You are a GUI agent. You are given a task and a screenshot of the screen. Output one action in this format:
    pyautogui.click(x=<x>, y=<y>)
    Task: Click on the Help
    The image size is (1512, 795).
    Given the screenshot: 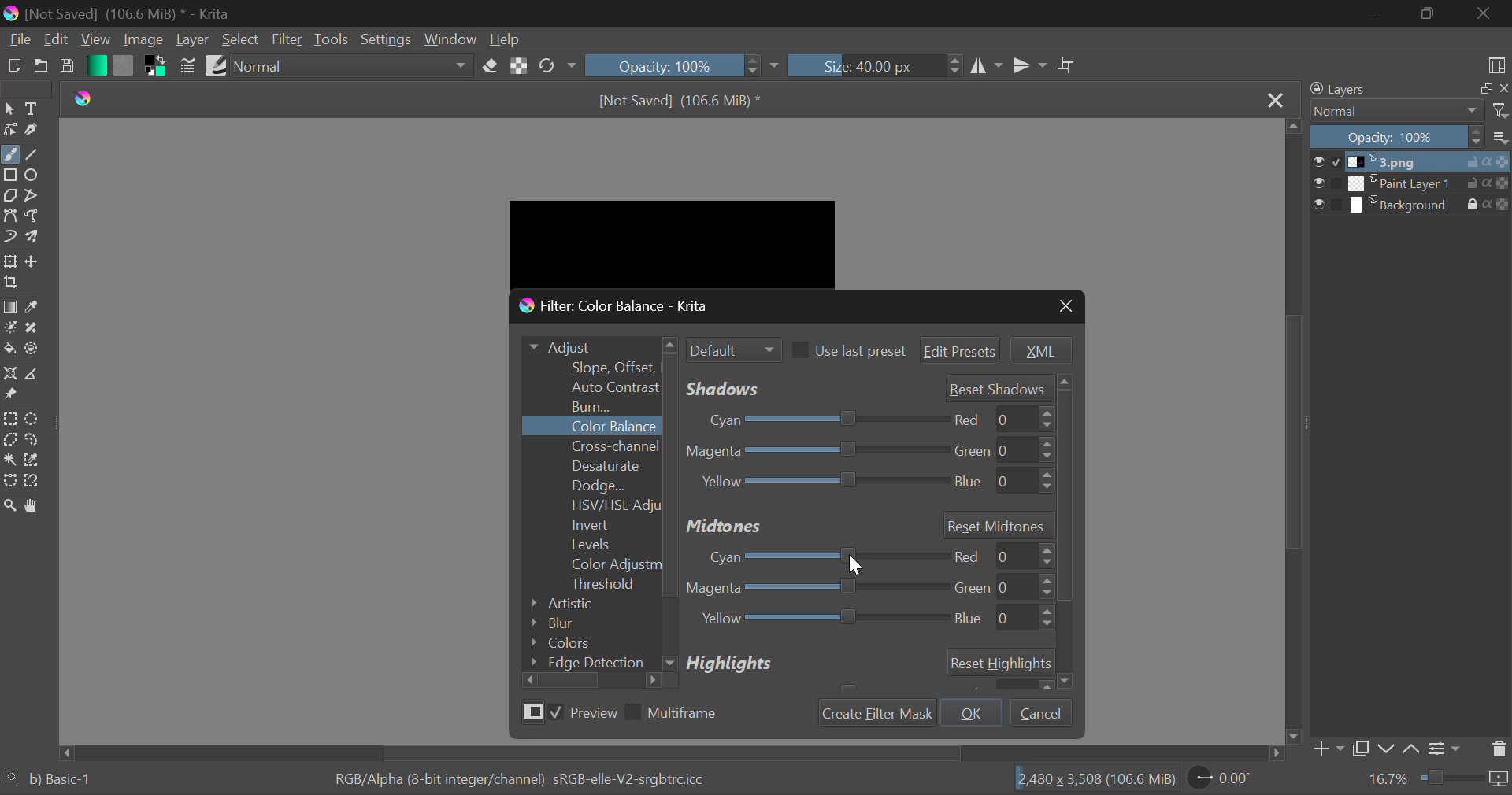 What is the action you would take?
    pyautogui.click(x=505, y=39)
    